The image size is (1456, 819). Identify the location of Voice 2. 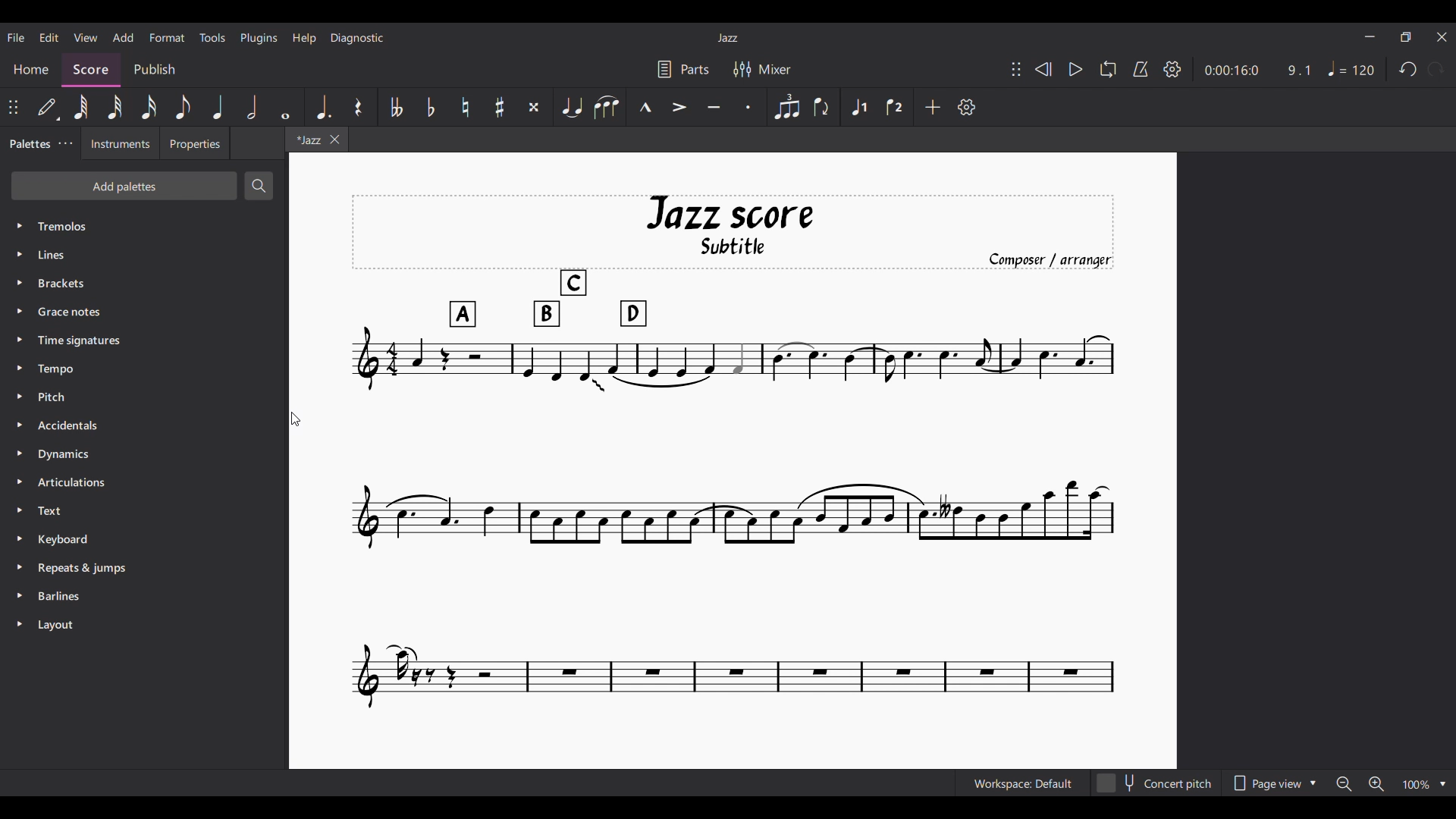
(895, 106).